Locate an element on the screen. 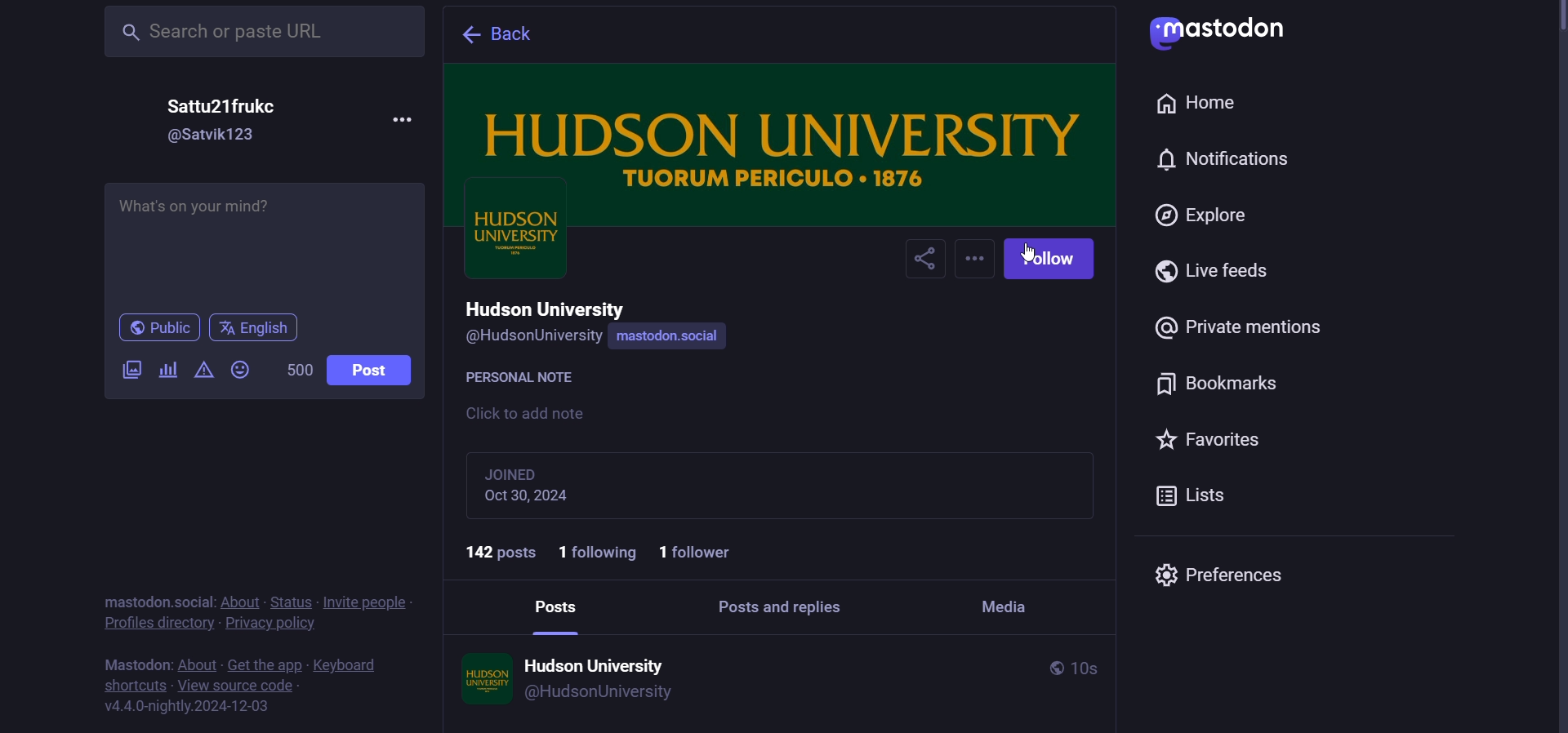  share is located at coordinates (924, 261).